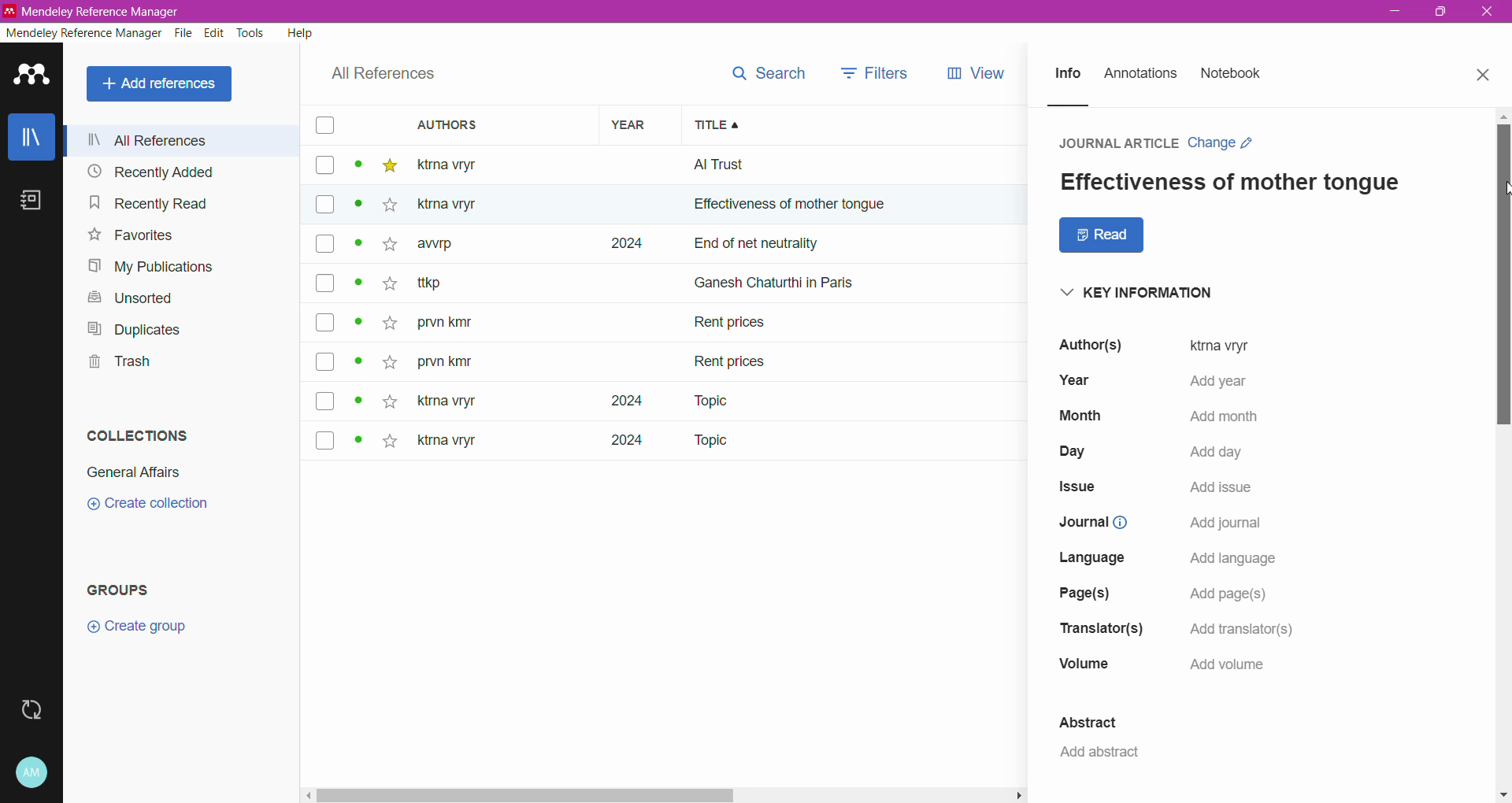 The width and height of the screenshot is (1512, 803). Describe the element at coordinates (1218, 487) in the screenshot. I see `Click to add issue` at that location.